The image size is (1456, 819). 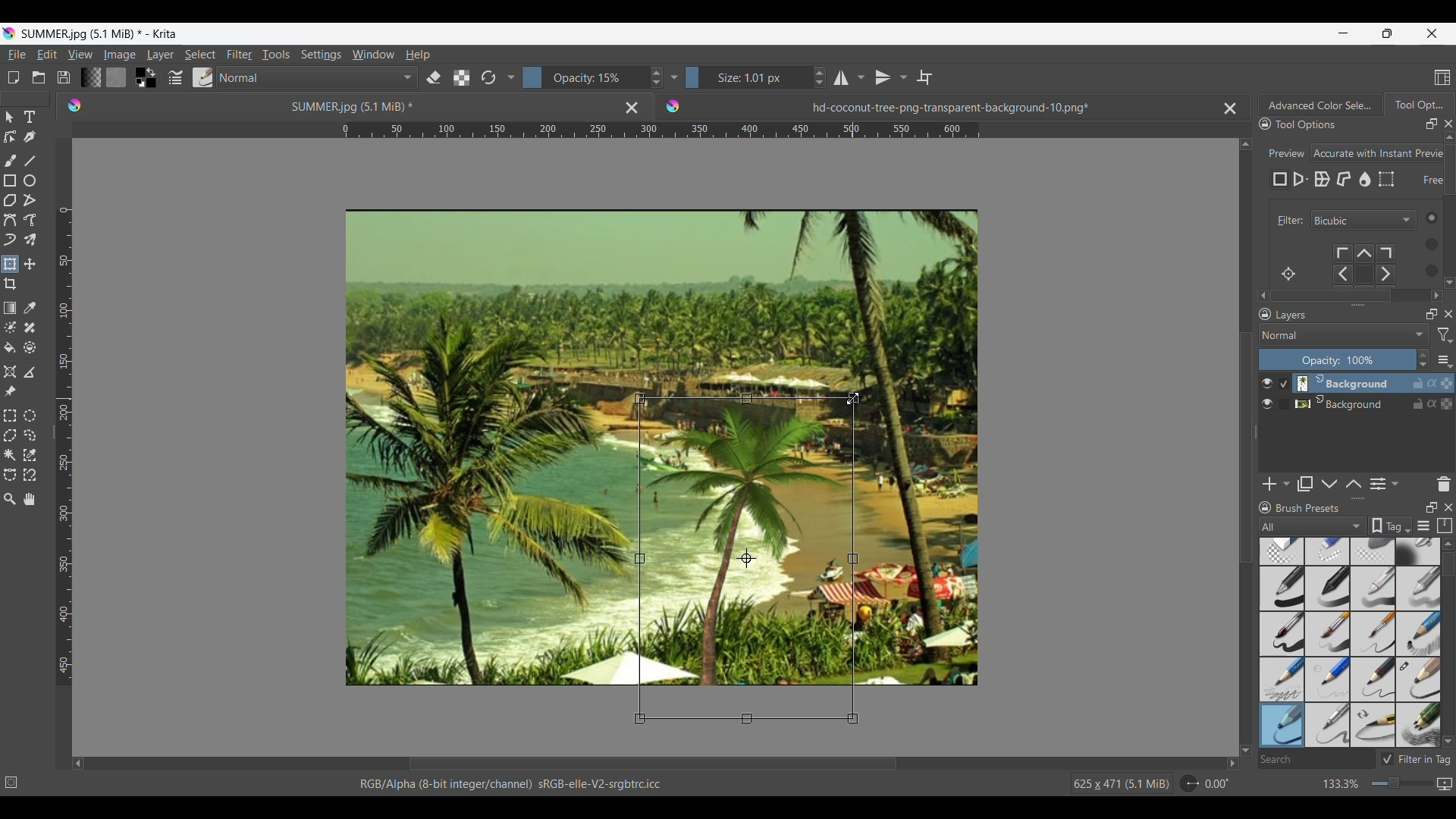 What do you see at coordinates (1321, 124) in the screenshot?
I see `Tool options` at bounding box center [1321, 124].